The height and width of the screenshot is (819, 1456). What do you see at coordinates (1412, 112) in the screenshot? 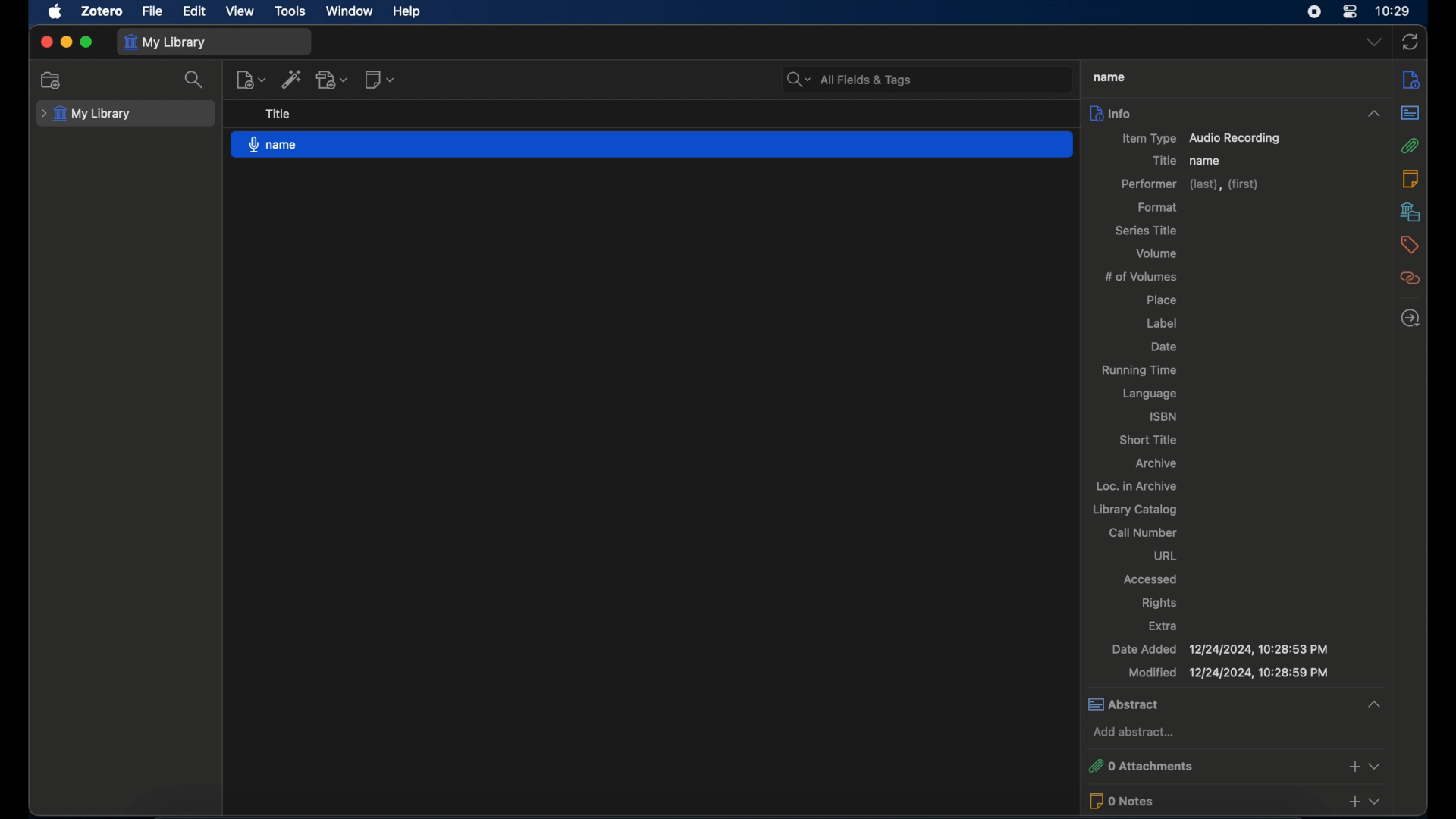
I see `abstract` at bounding box center [1412, 112].